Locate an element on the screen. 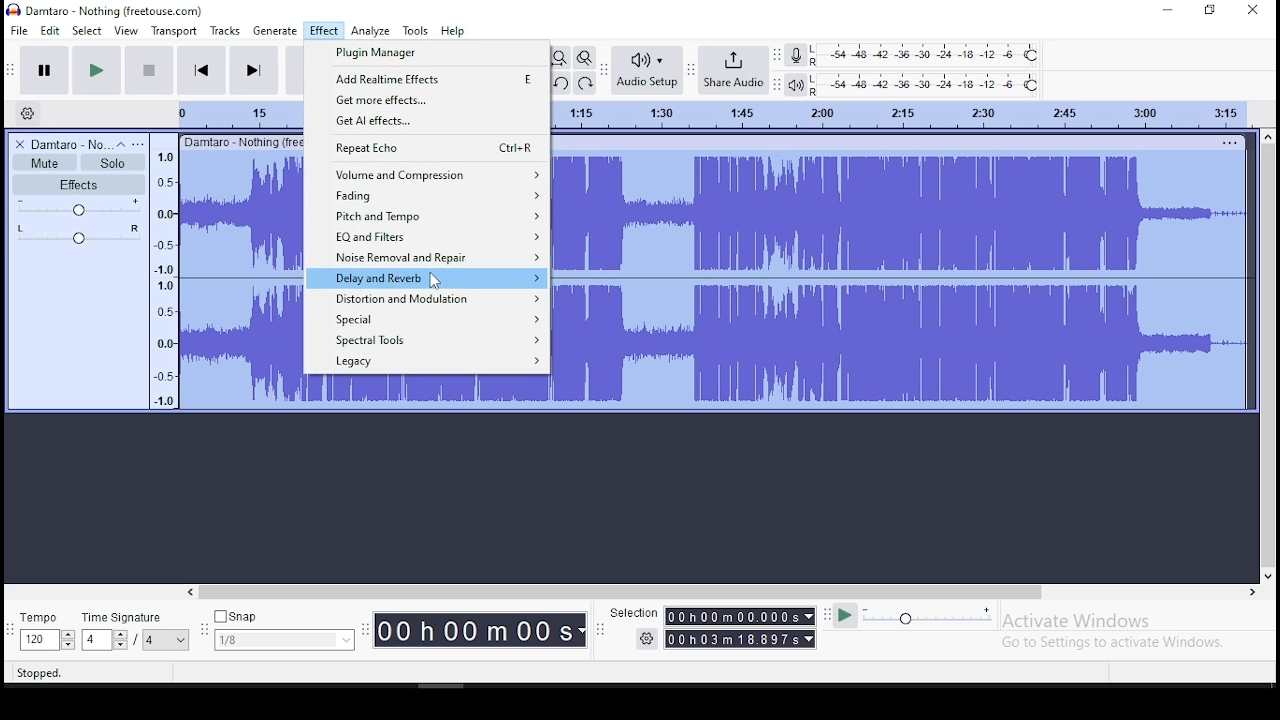 The height and width of the screenshot is (720, 1280). volume is located at coordinates (79, 207).